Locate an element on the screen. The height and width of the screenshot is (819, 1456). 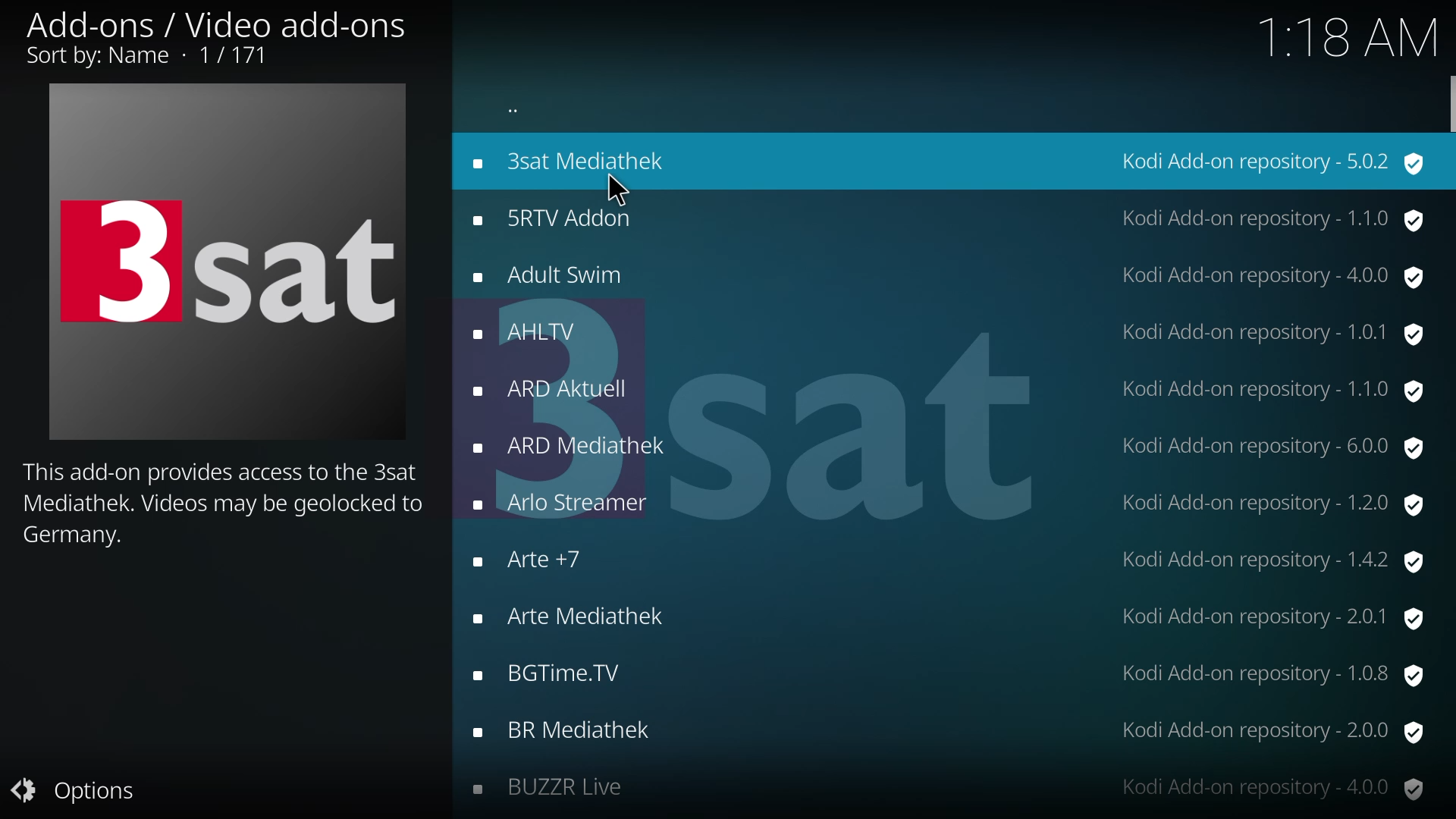
version is located at coordinates (1265, 449).